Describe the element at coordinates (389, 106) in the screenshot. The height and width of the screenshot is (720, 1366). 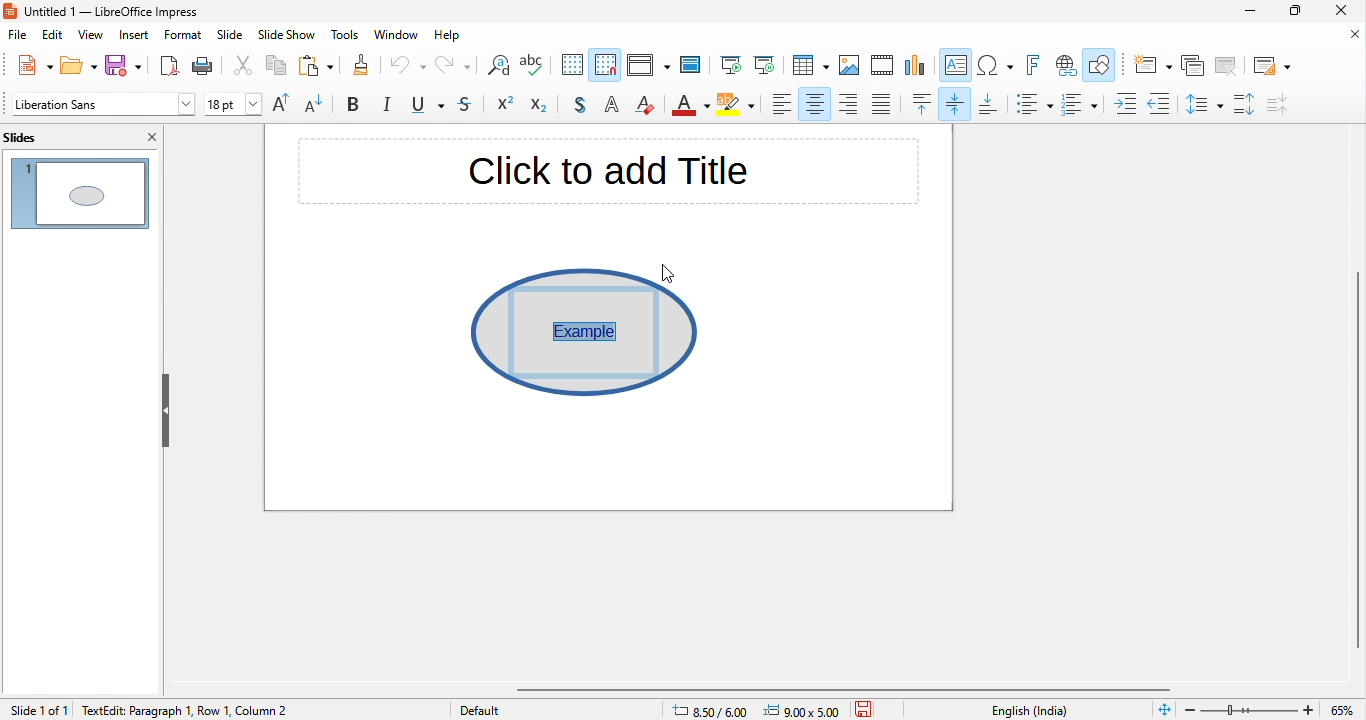
I see `italics` at that location.